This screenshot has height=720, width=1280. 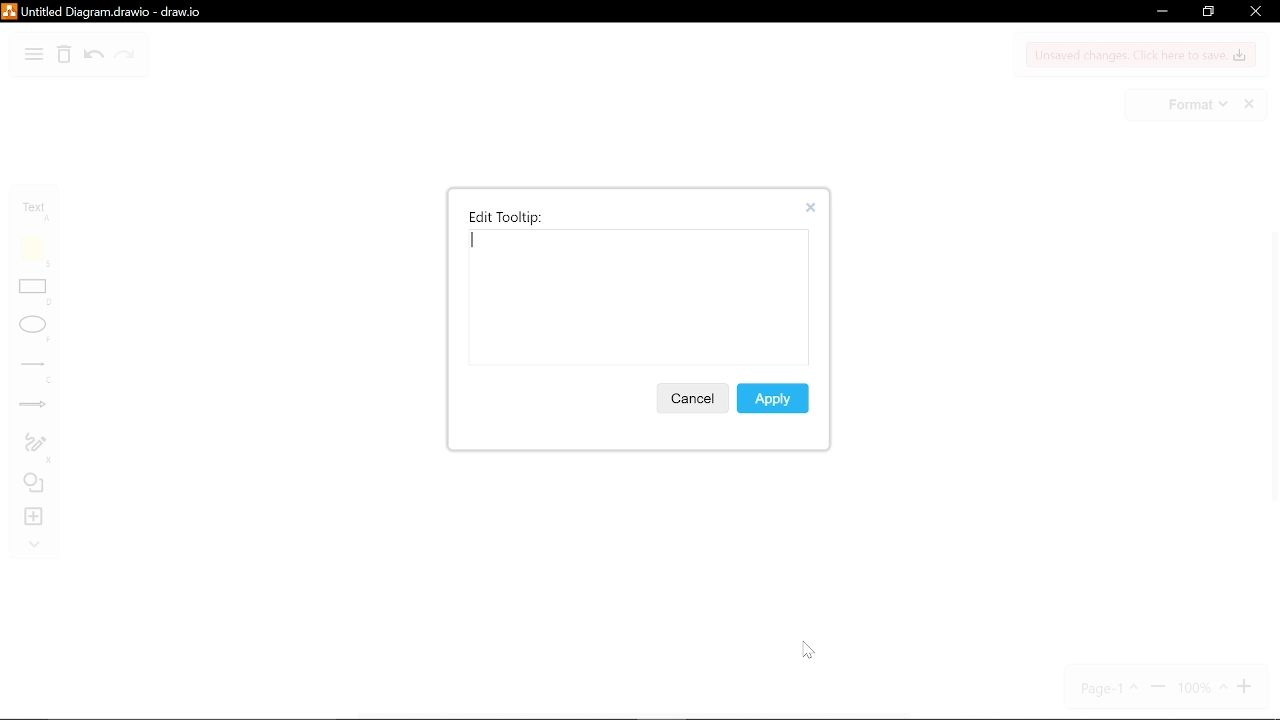 I want to click on cancel, so click(x=691, y=398).